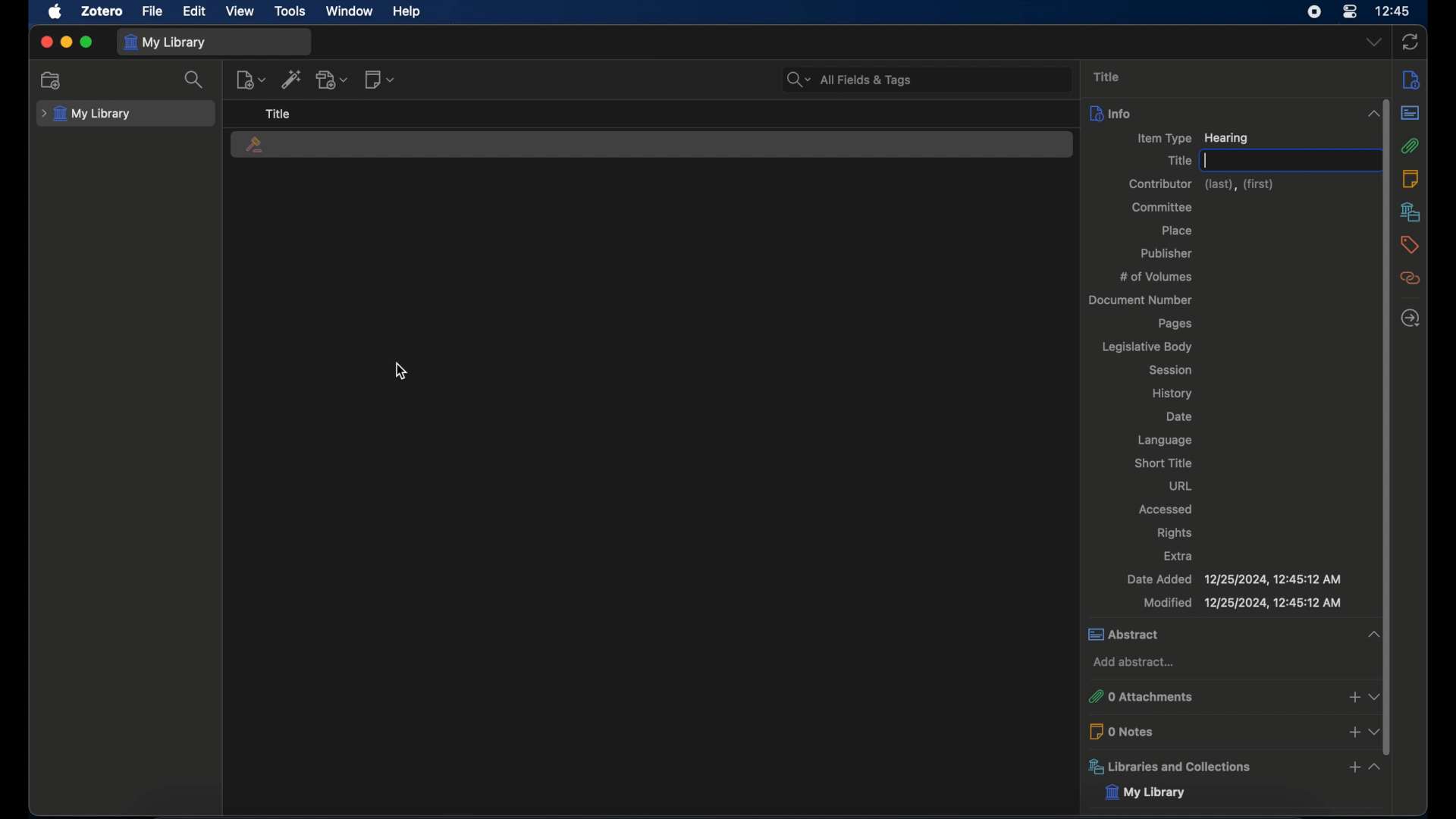  What do you see at coordinates (1206, 160) in the screenshot?
I see `text cursor` at bounding box center [1206, 160].